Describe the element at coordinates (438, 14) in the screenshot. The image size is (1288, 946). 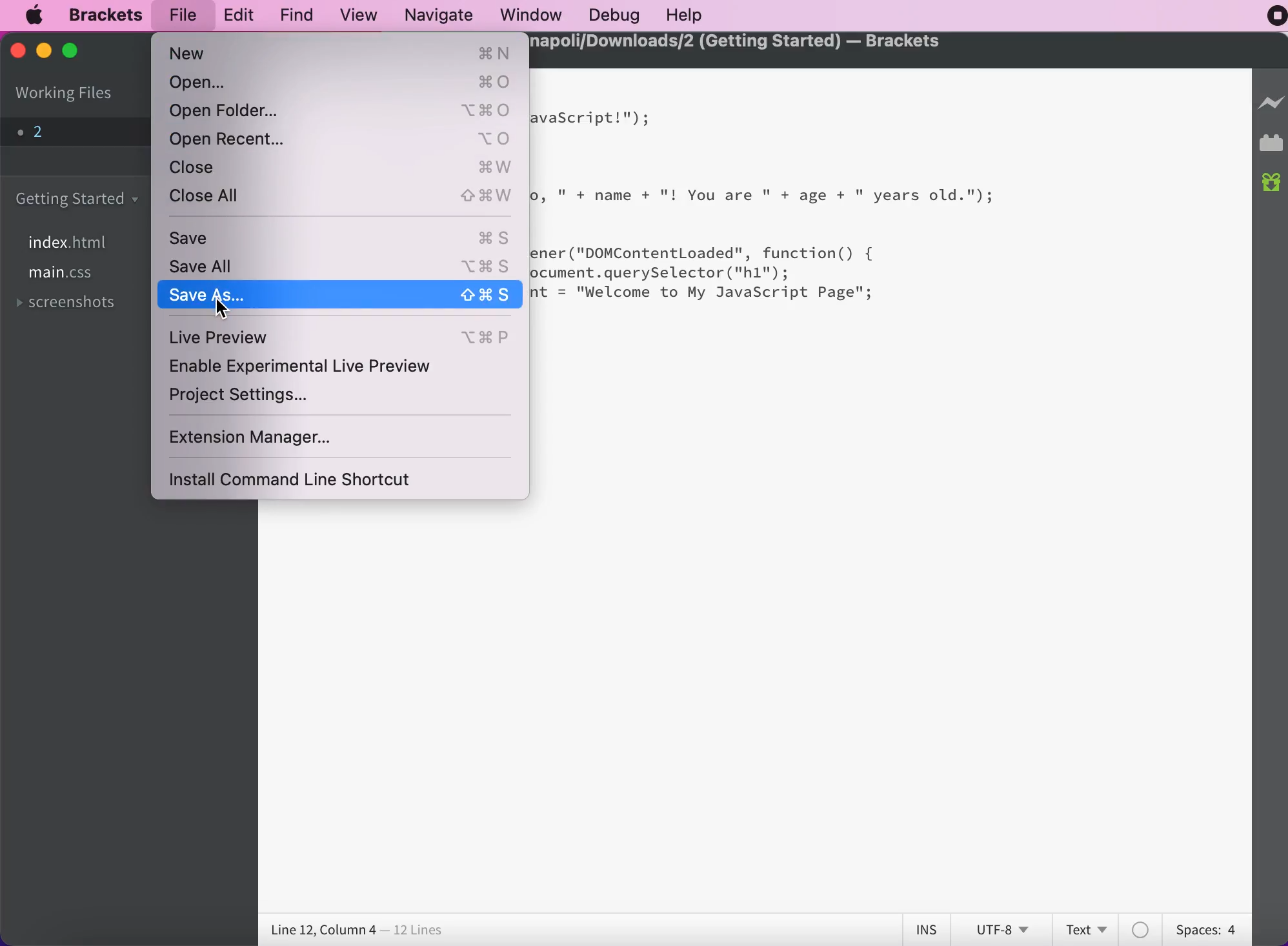
I see `navigate` at that location.